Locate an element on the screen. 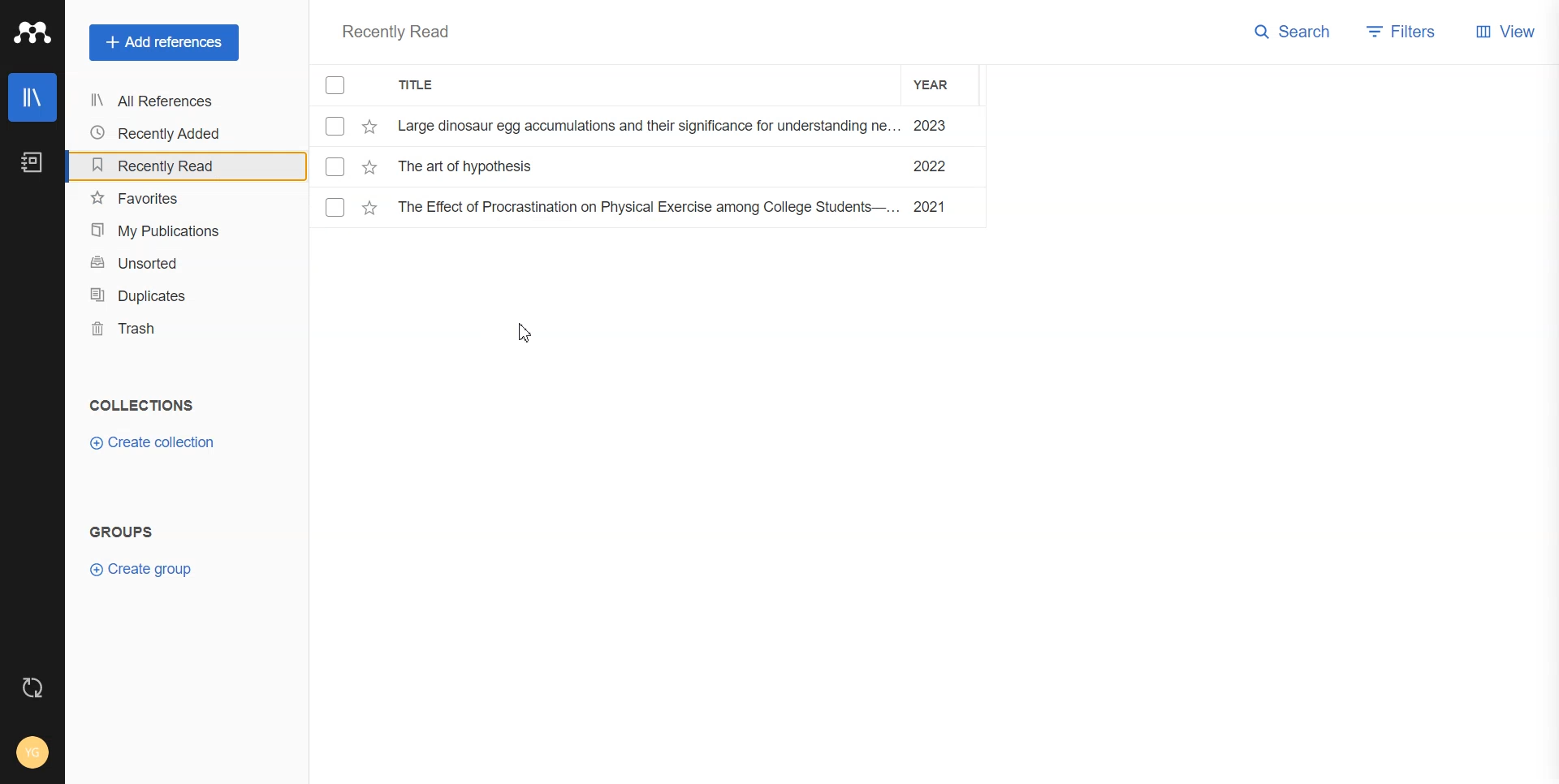 The width and height of the screenshot is (1559, 784). Search is located at coordinates (1293, 33).